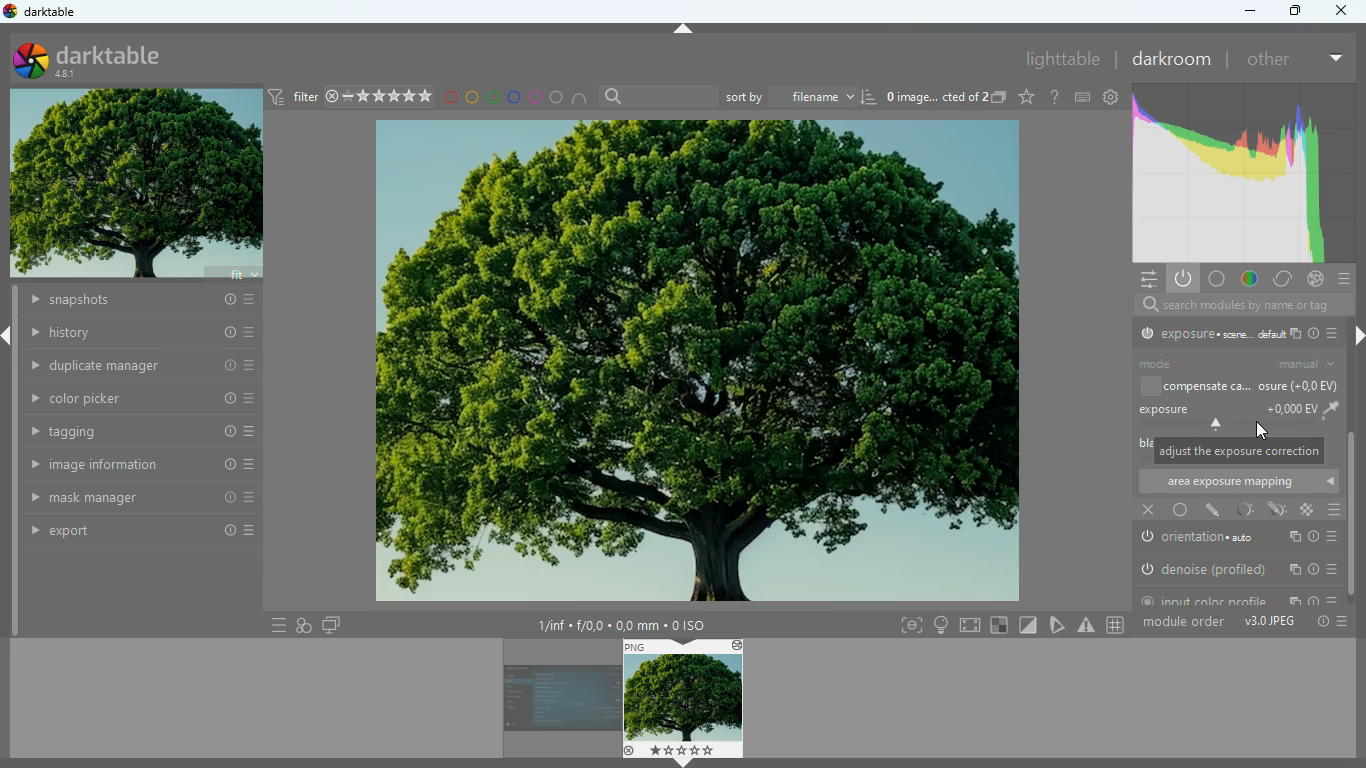 The height and width of the screenshot is (768, 1366). I want to click on screens, so click(333, 623).